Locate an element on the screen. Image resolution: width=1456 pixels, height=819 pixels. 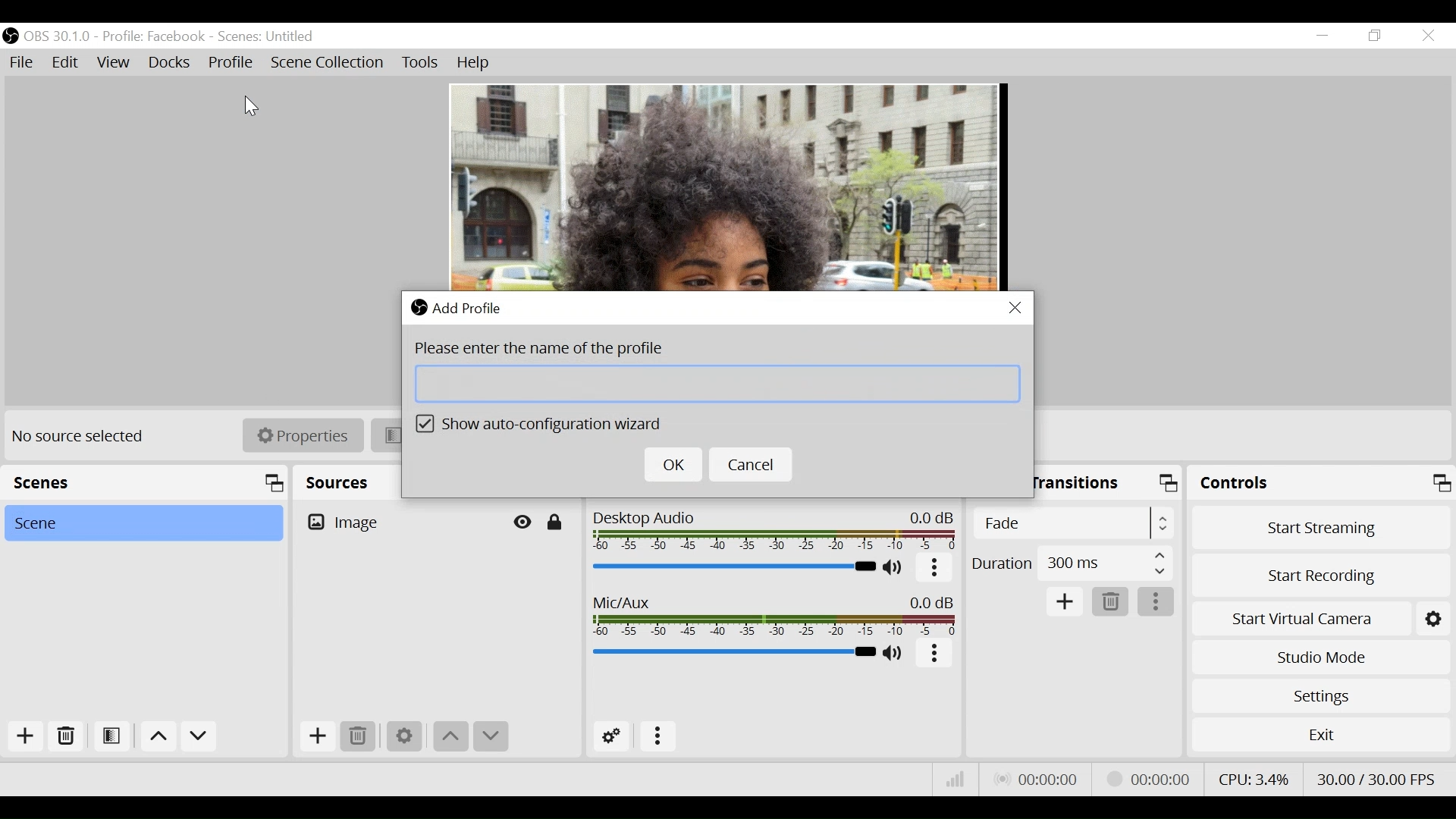
Mic/Aux is located at coordinates (776, 617).